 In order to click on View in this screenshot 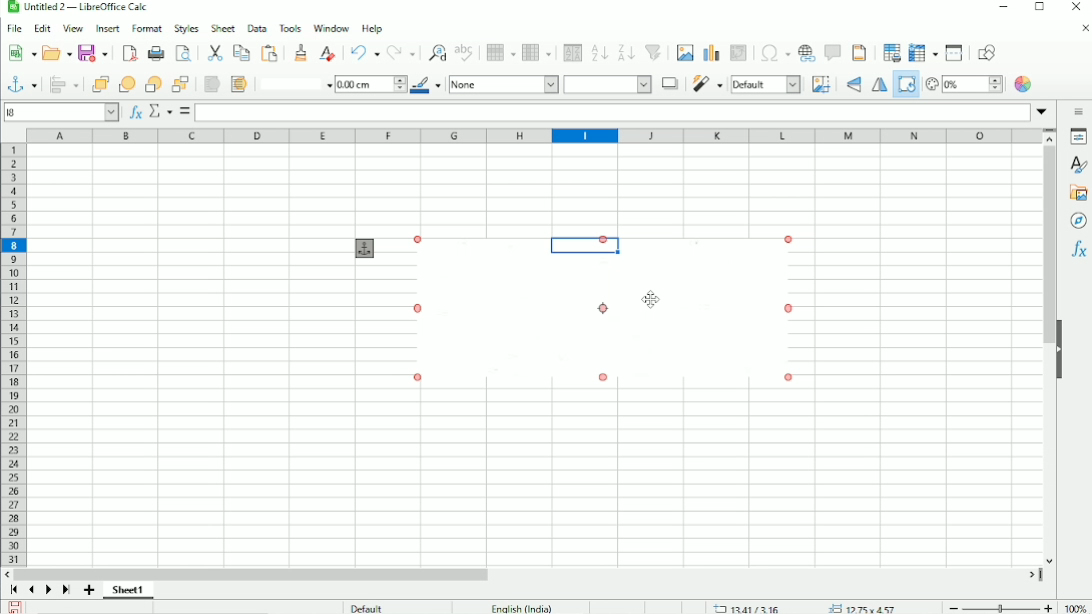, I will do `click(72, 28)`.